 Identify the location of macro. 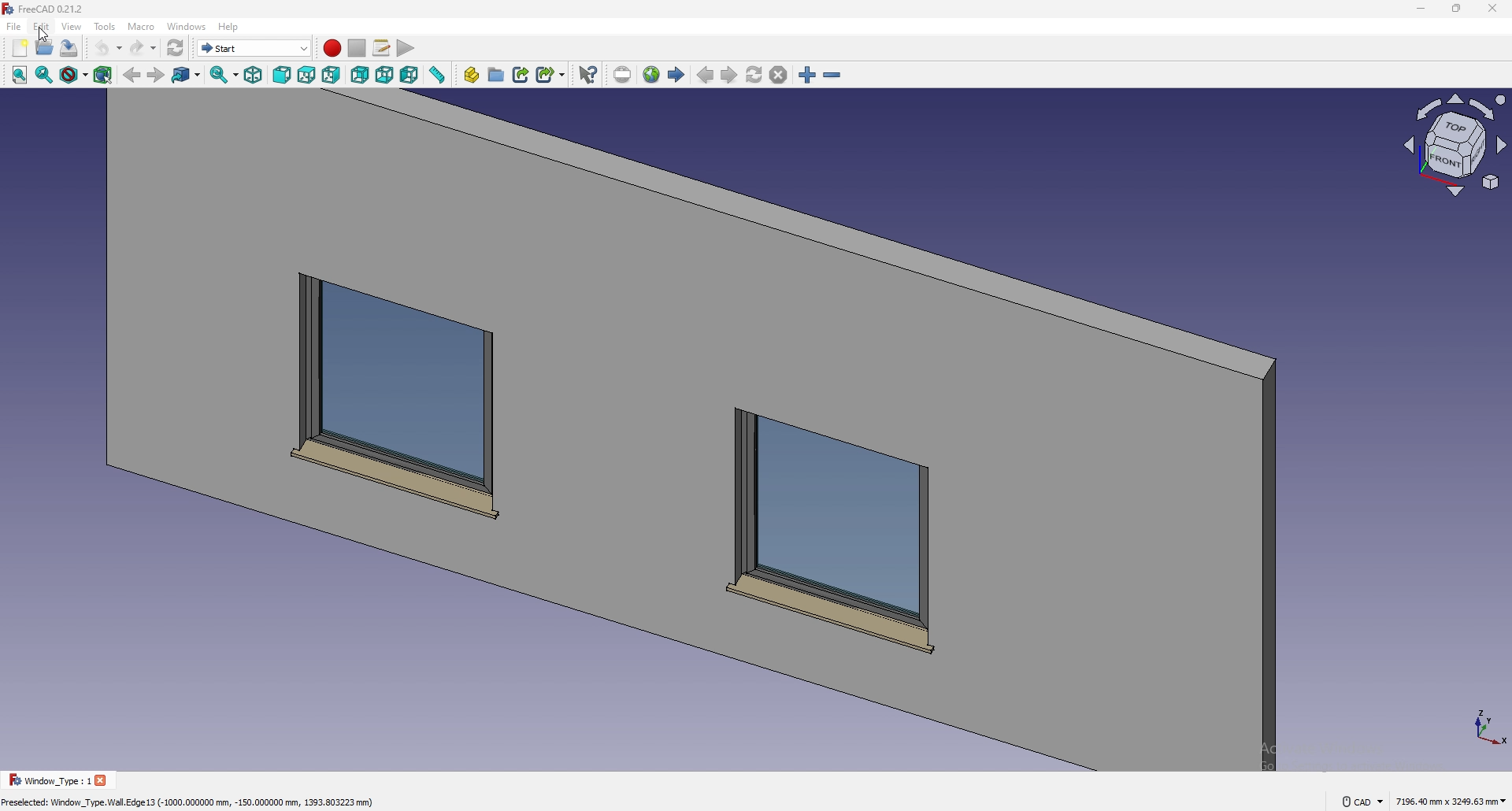
(142, 27).